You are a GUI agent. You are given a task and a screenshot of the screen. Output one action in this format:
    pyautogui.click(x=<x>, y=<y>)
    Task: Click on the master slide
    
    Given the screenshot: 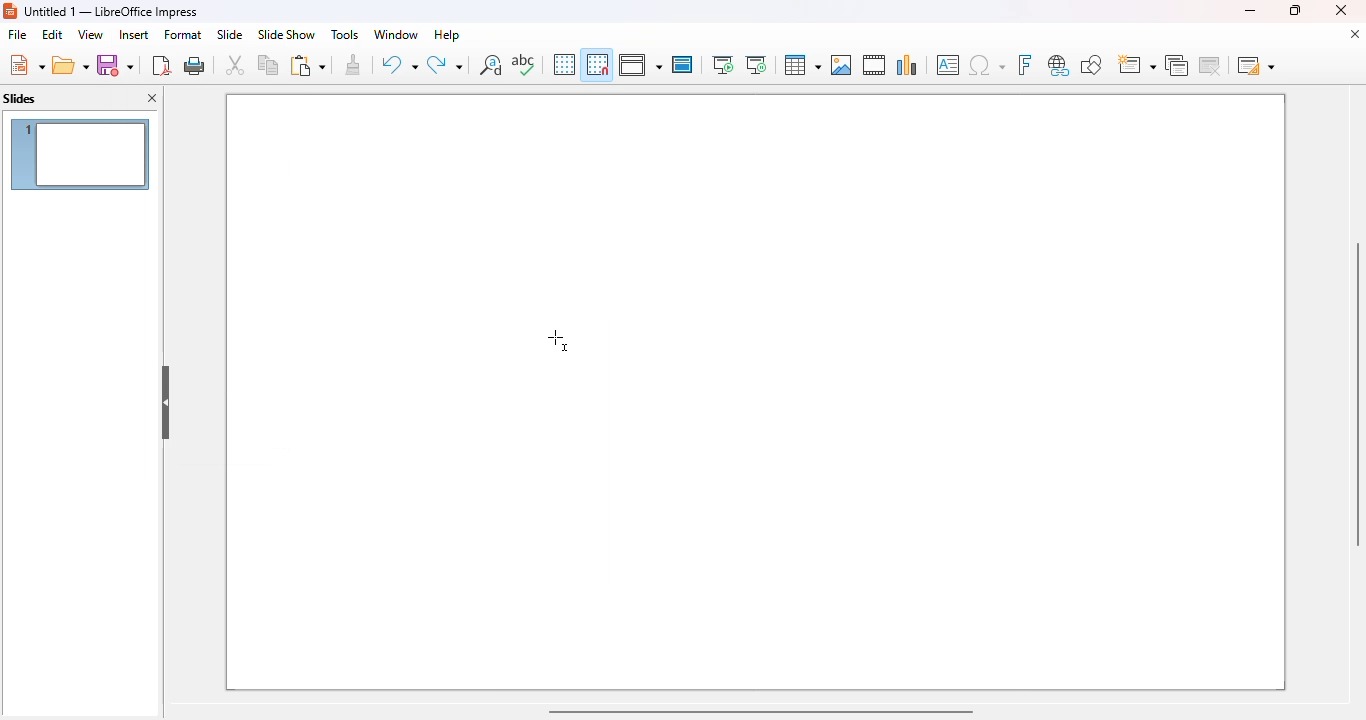 What is the action you would take?
    pyautogui.click(x=682, y=64)
    